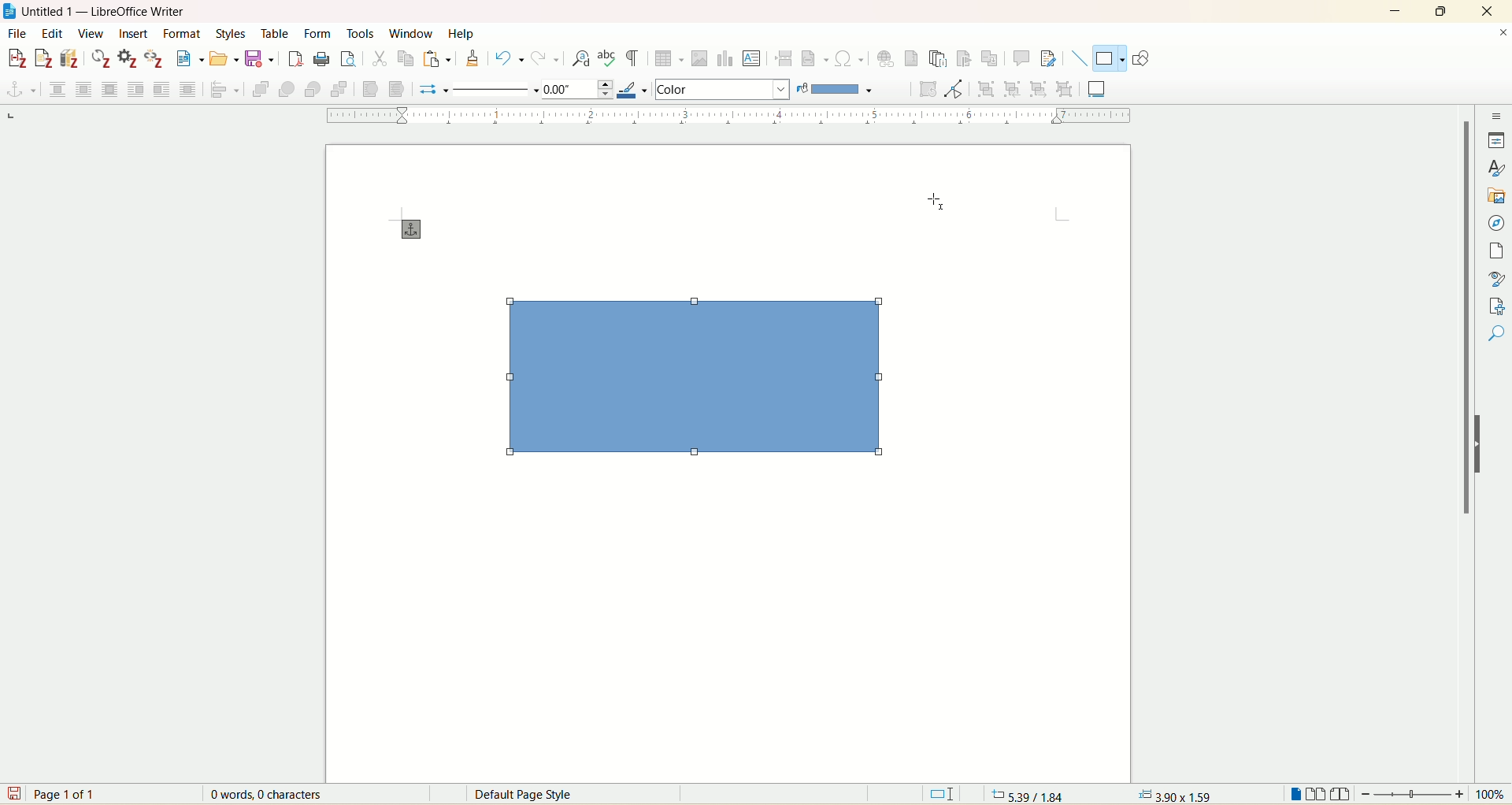 This screenshot has width=1512, height=805. I want to click on print, so click(321, 59).